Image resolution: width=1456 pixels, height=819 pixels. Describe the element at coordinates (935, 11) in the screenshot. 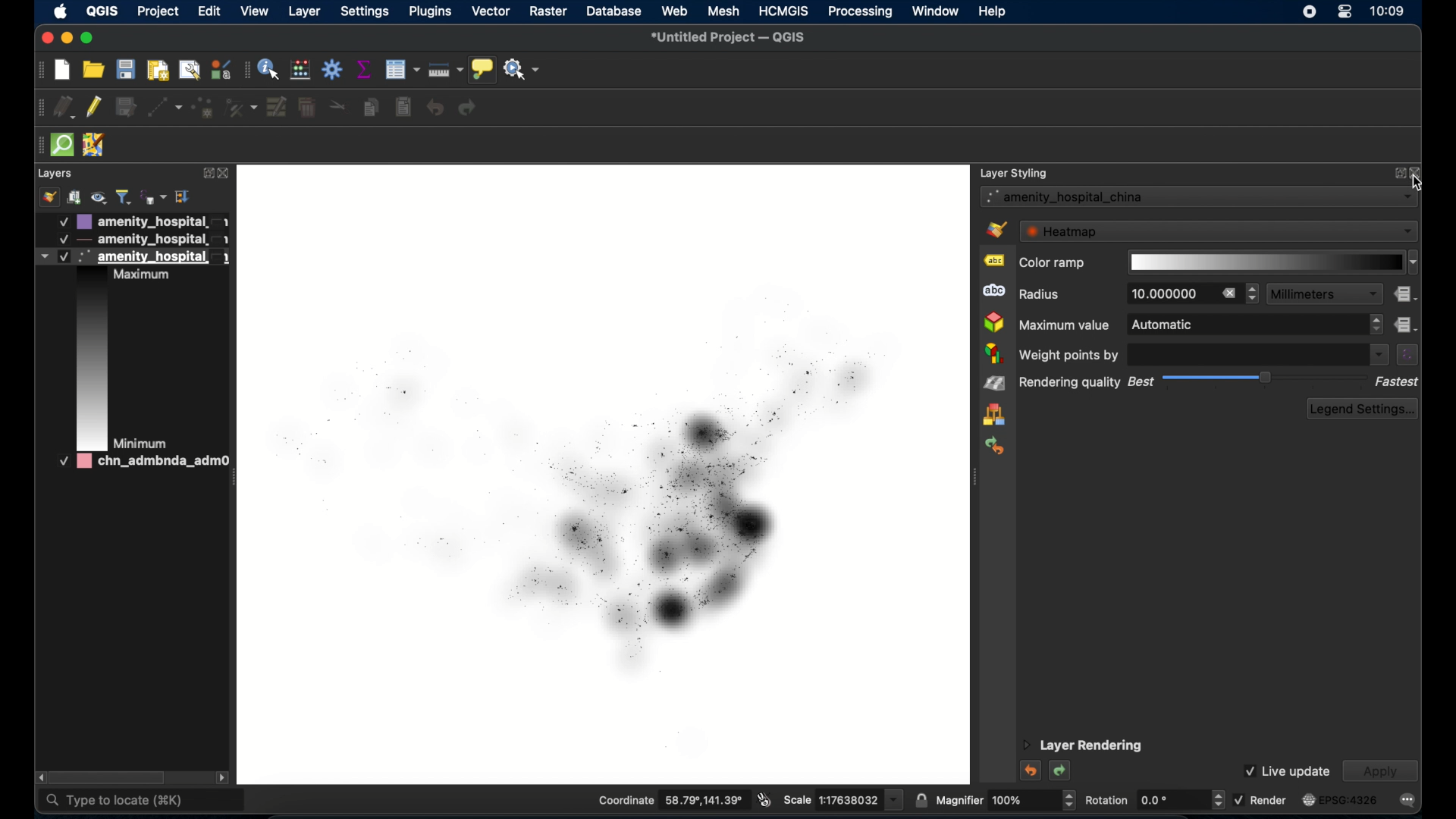

I see `window` at that location.